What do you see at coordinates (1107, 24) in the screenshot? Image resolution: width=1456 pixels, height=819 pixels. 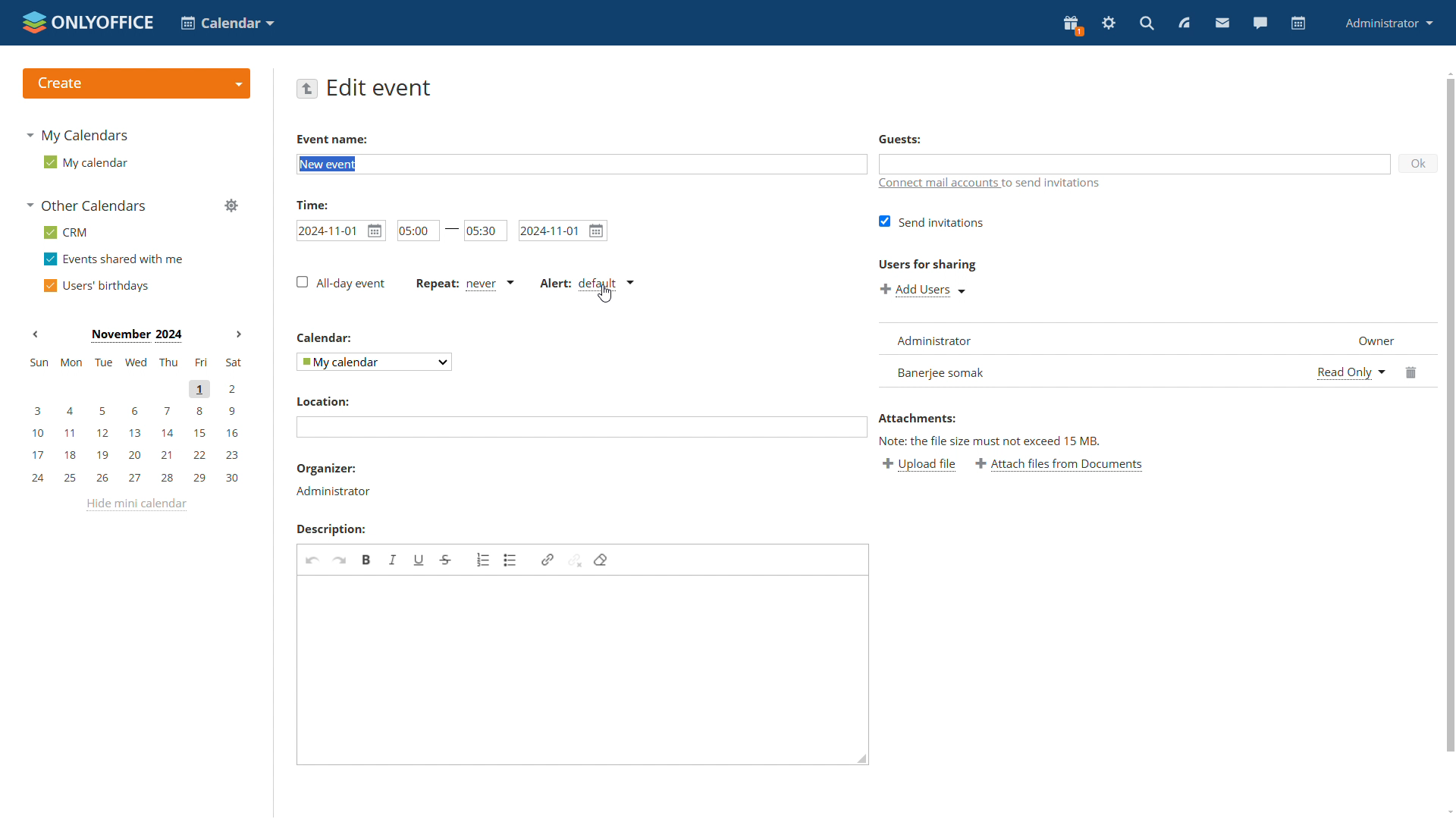 I see `settings` at bounding box center [1107, 24].